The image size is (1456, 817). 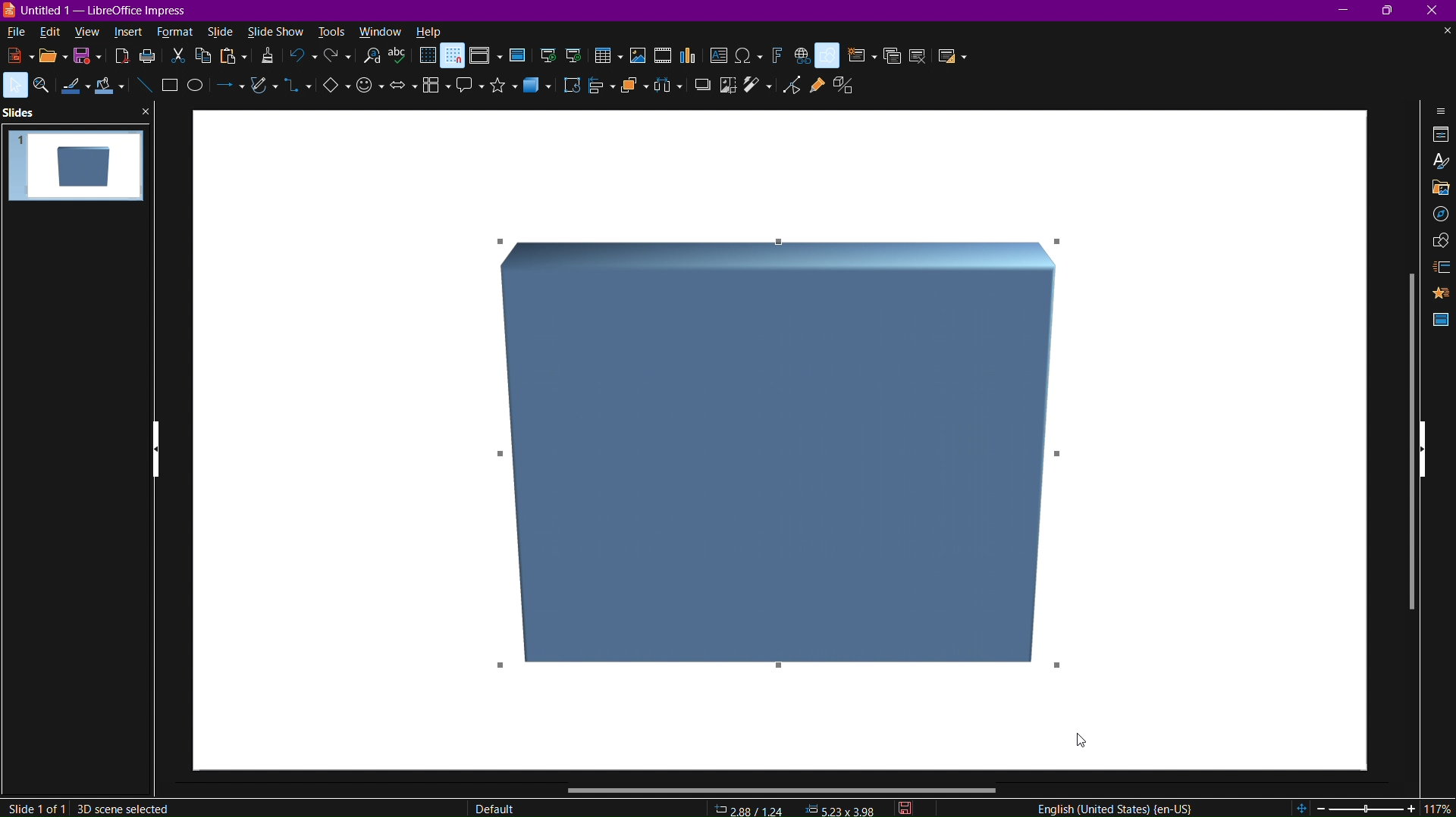 What do you see at coordinates (639, 57) in the screenshot?
I see `Insert Image` at bounding box center [639, 57].